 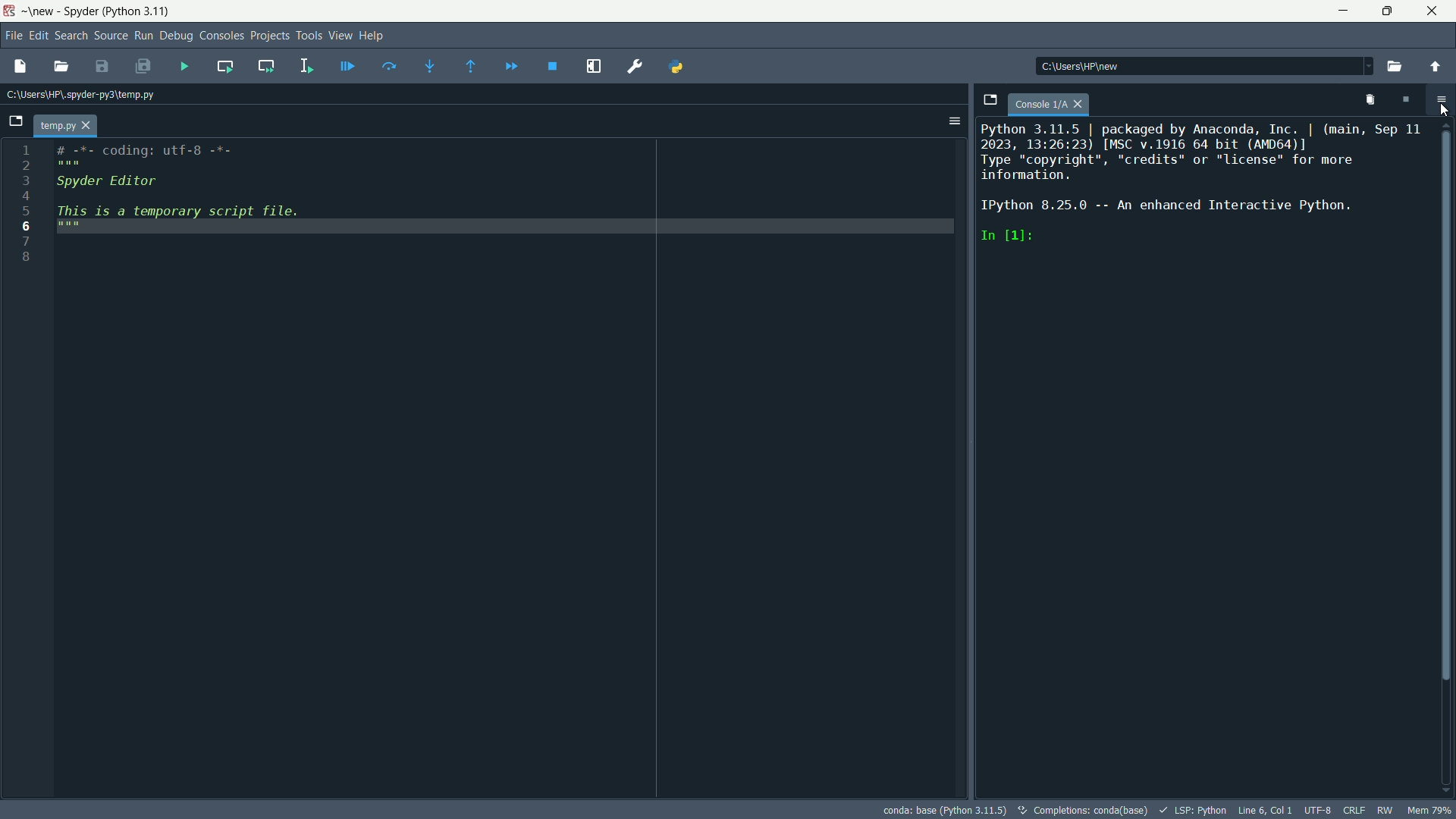 I want to click on browse tabs, so click(x=14, y=122).